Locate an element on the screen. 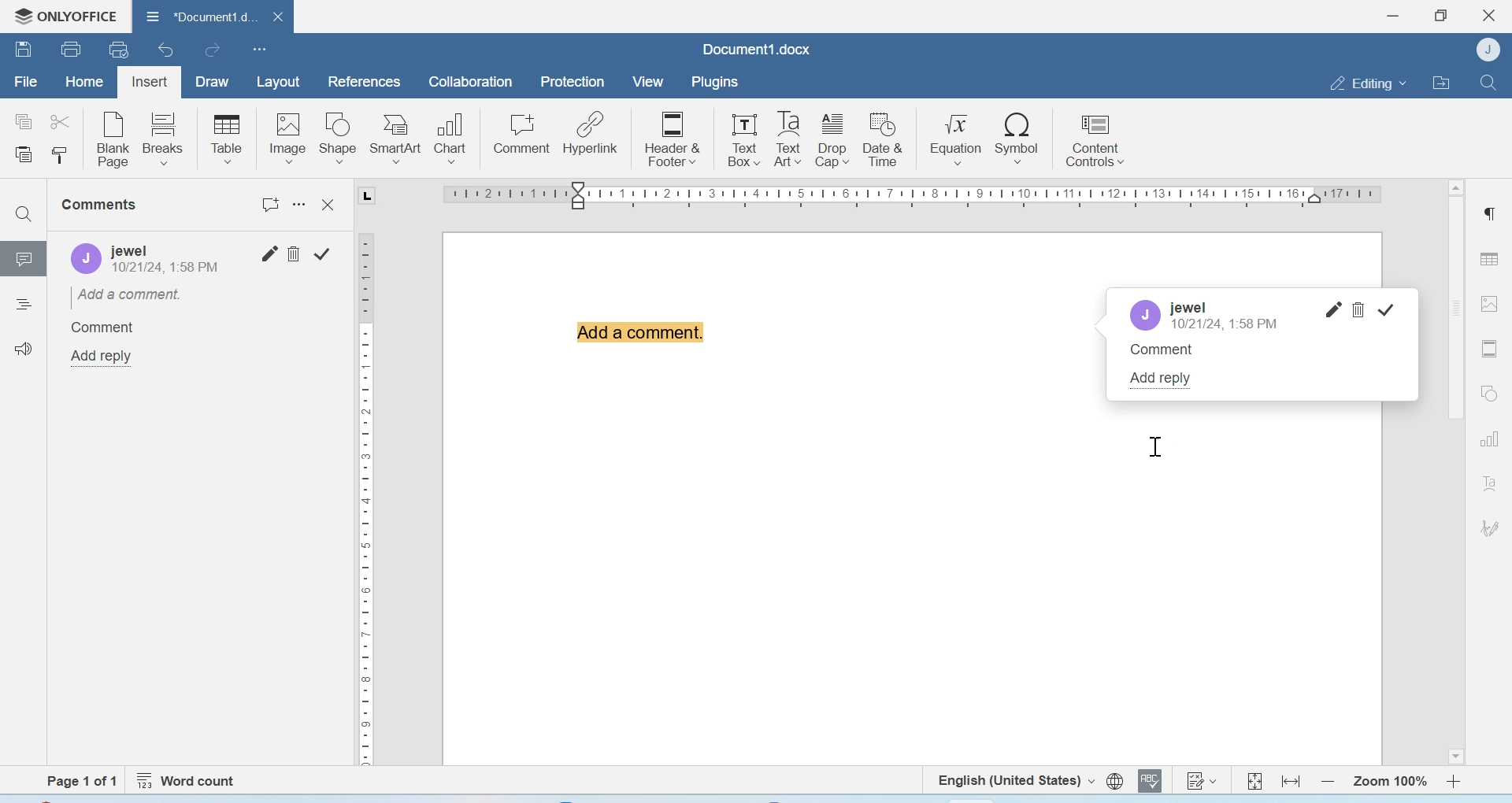  Shape is located at coordinates (339, 139).